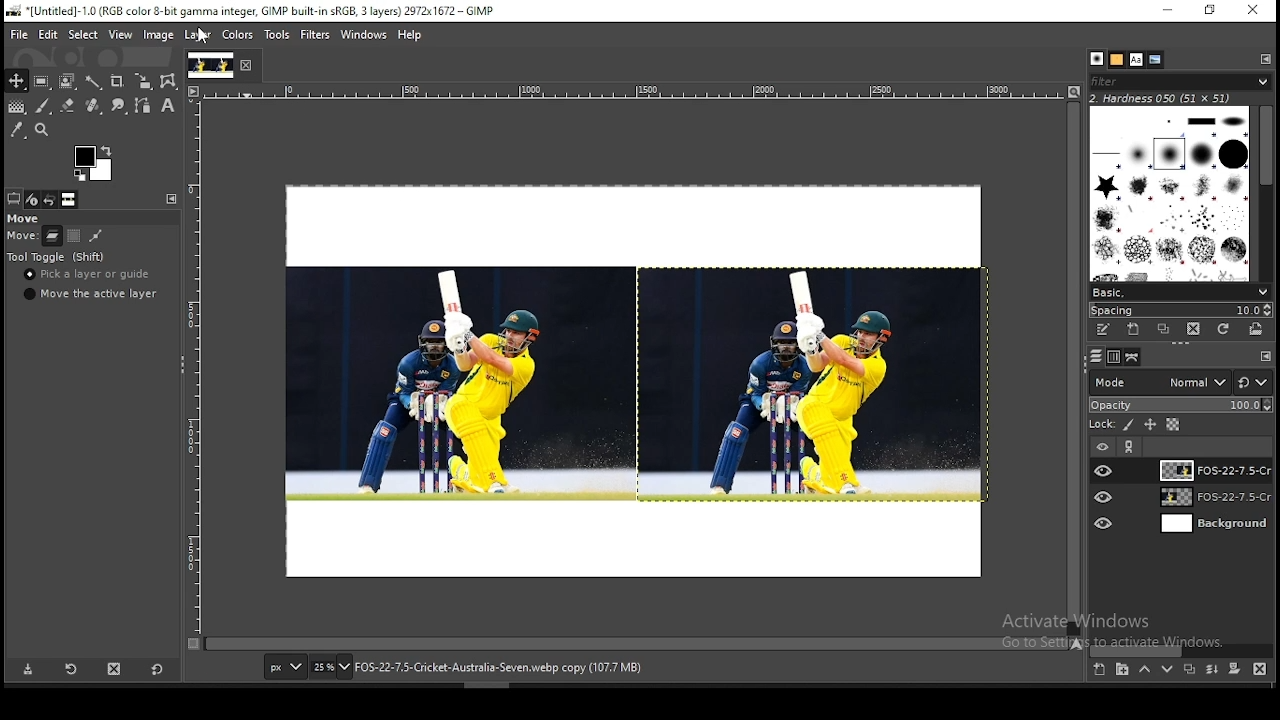 The image size is (1280, 720). What do you see at coordinates (1193, 329) in the screenshot?
I see `delete brush` at bounding box center [1193, 329].